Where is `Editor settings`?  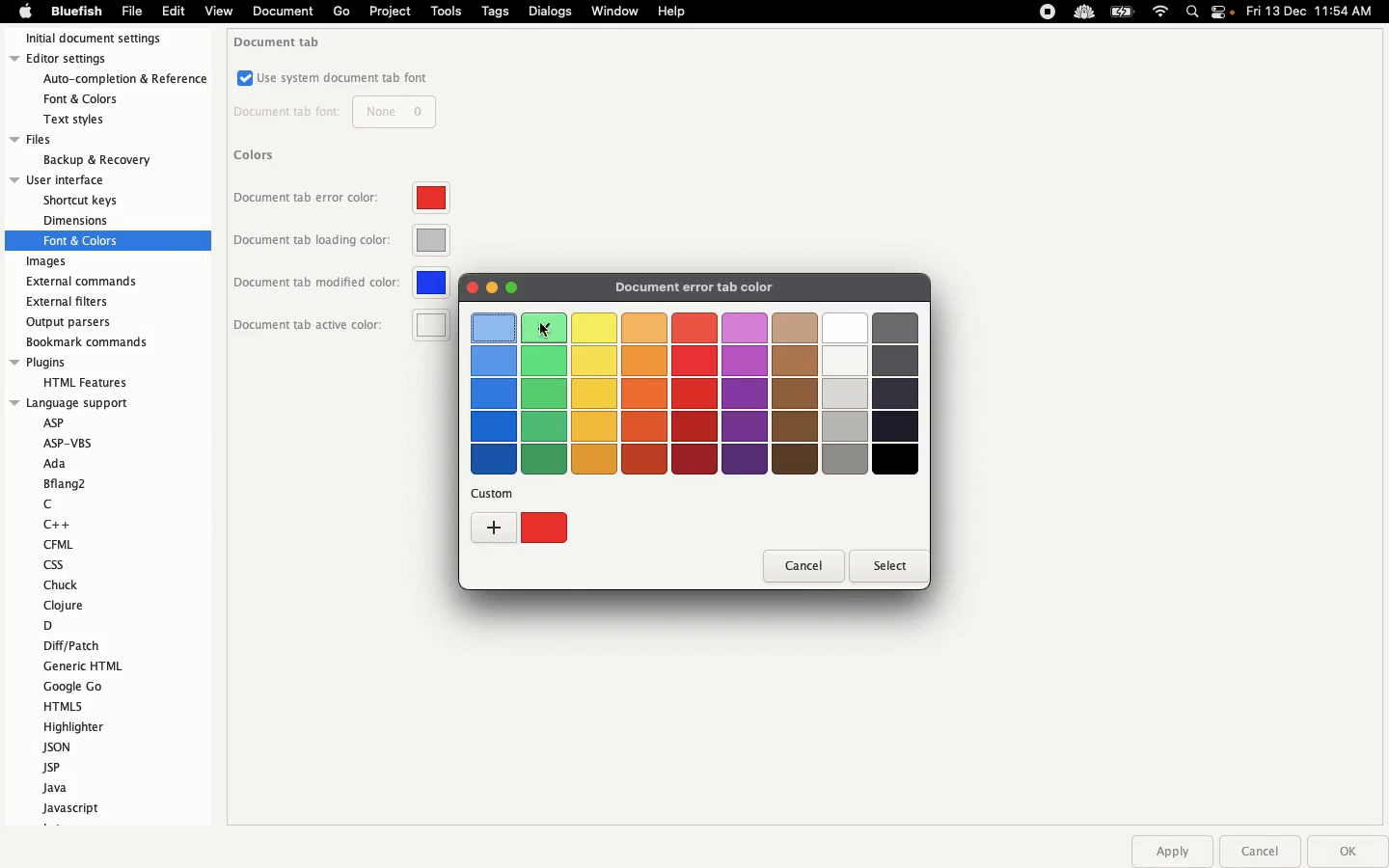
Editor settings is located at coordinates (104, 60).